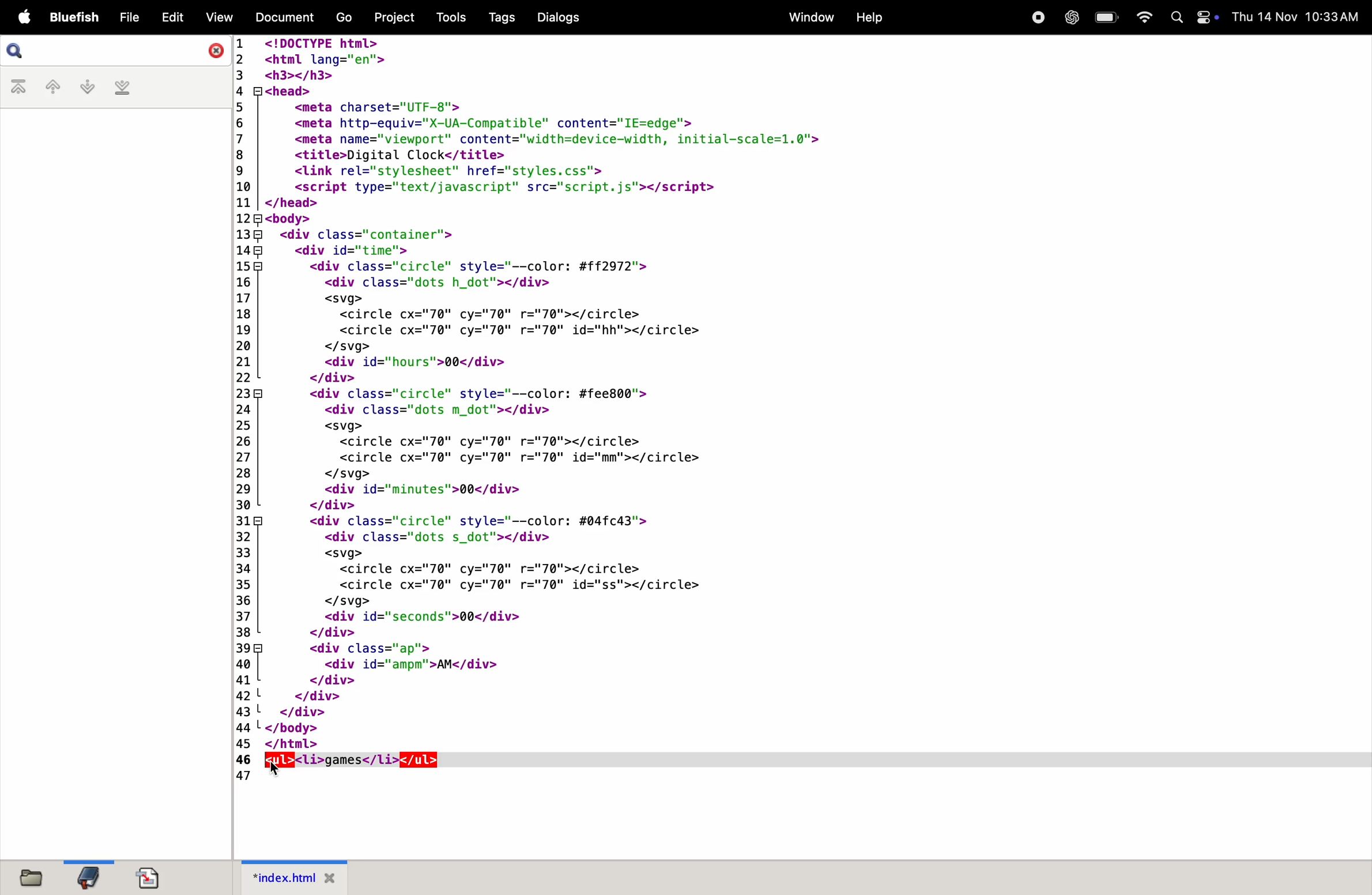 The height and width of the screenshot is (895, 1372). I want to click on cursor, so click(274, 769).